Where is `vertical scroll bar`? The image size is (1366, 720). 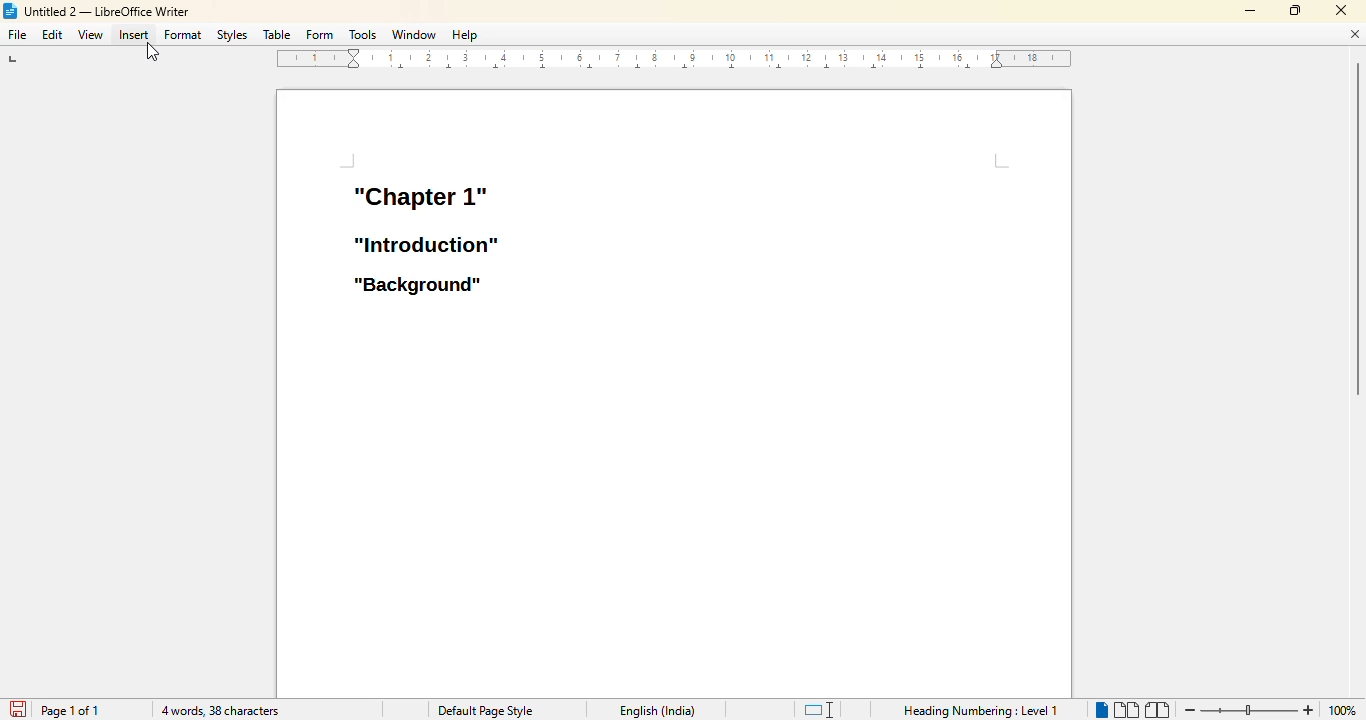 vertical scroll bar is located at coordinates (1357, 241).